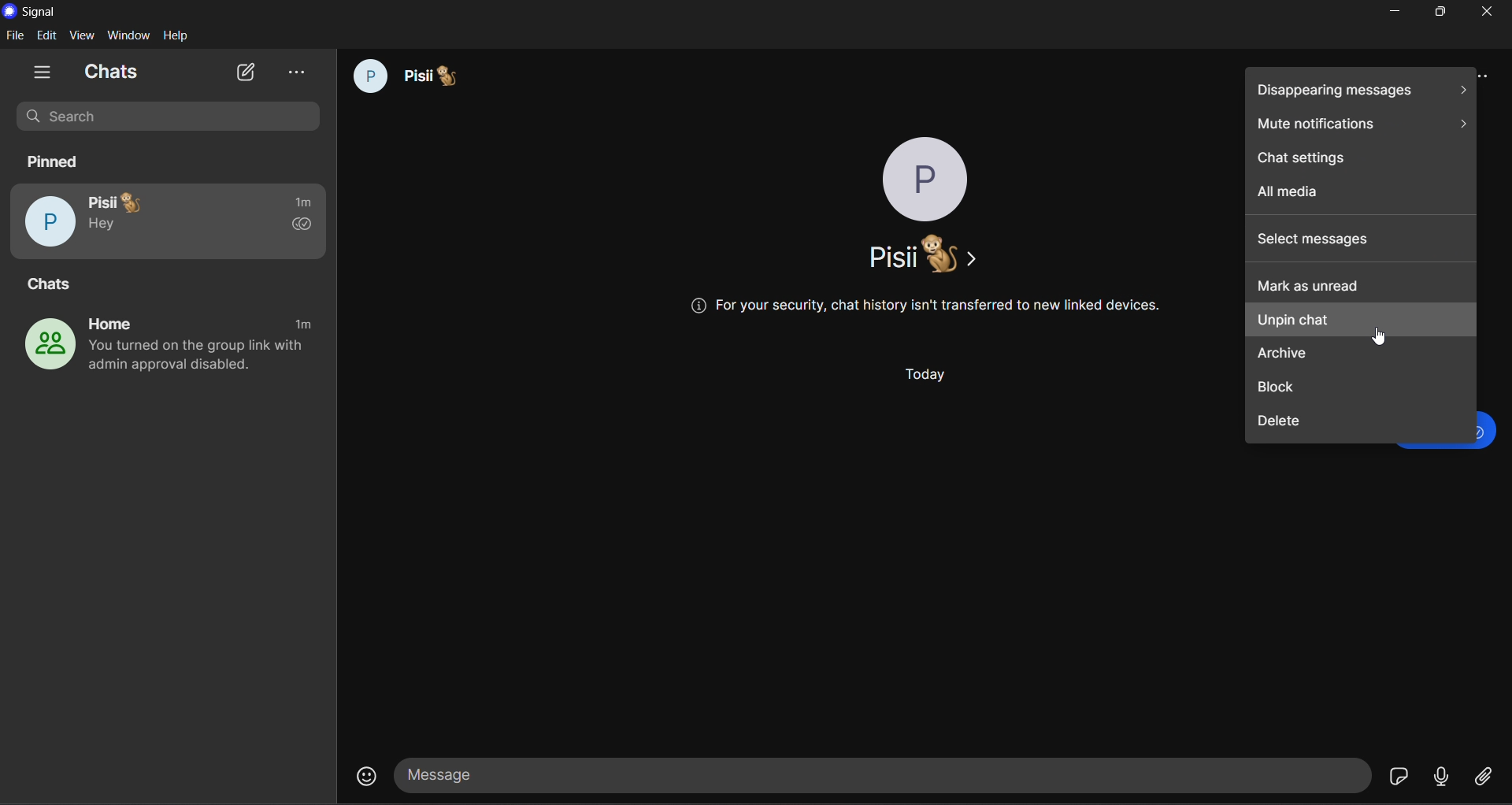 This screenshot has width=1512, height=805. What do you see at coordinates (54, 287) in the screenshot?
I see `chats` at bounding box center [54, 287].